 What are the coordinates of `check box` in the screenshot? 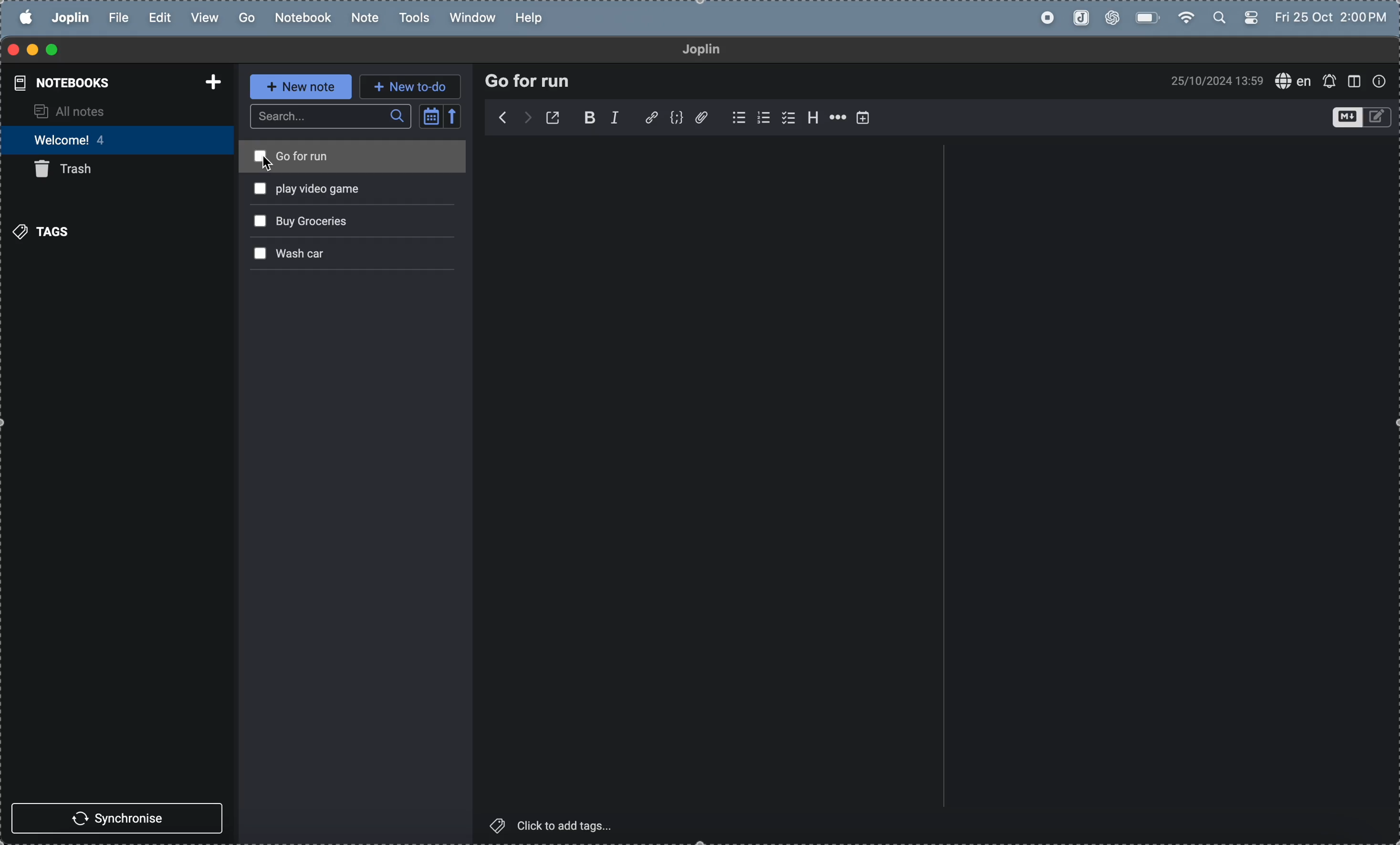 It's located at (732, 117).